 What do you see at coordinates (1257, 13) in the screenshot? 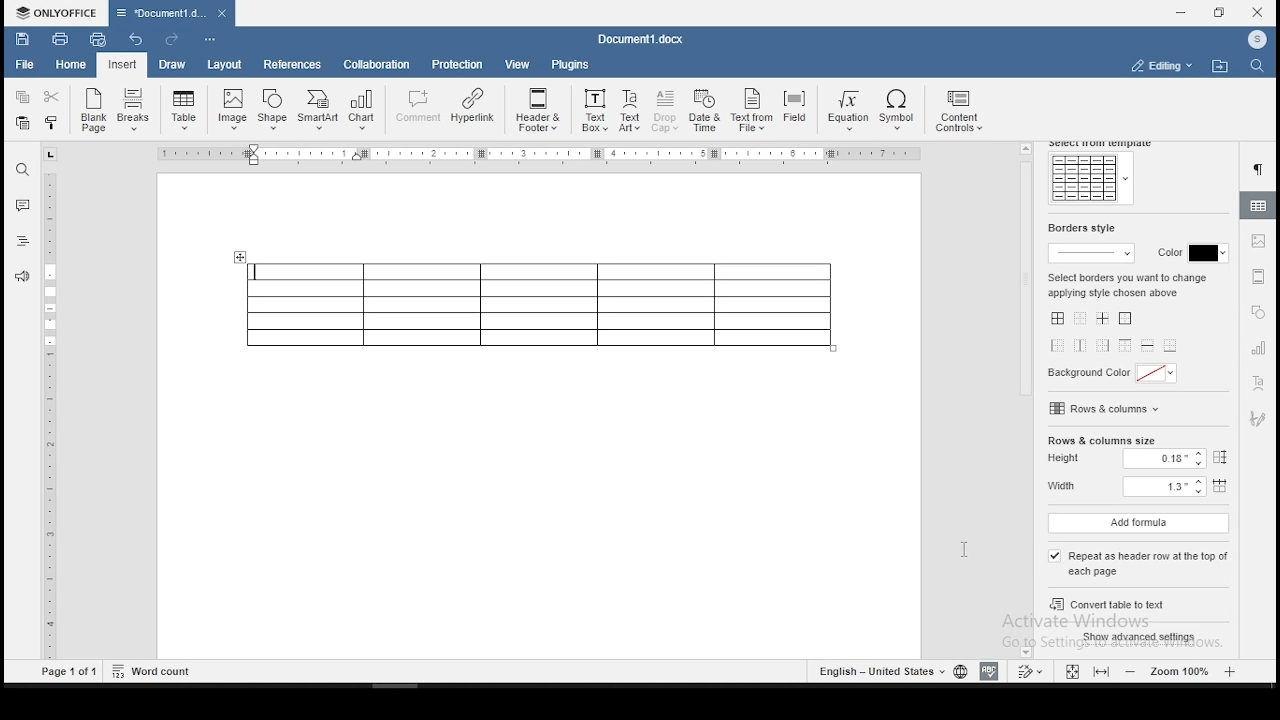
I see `close window` at bounding box center [1257, 13].